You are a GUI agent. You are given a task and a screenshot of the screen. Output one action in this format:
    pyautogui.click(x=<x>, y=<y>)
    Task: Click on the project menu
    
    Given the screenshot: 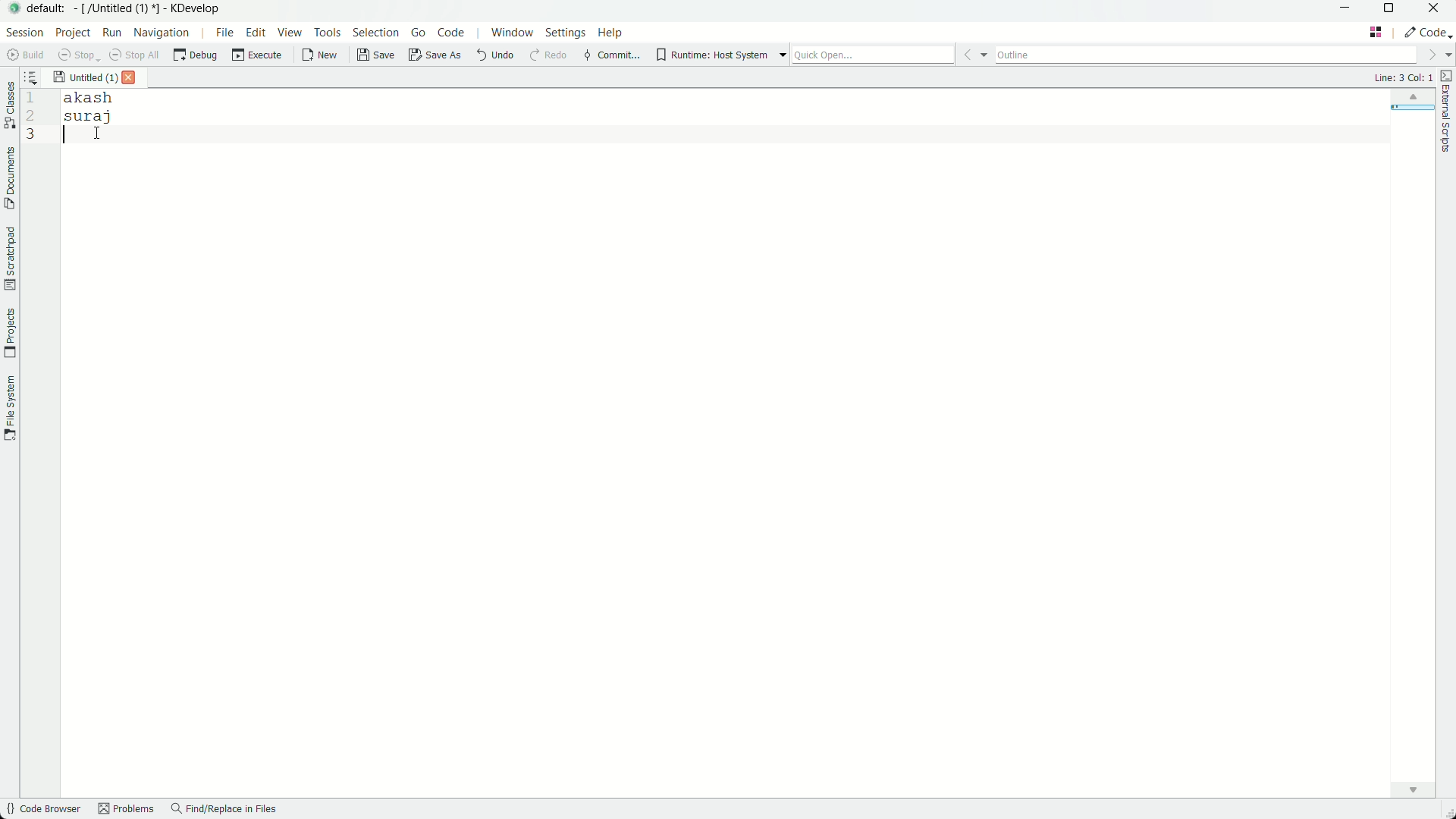 What is the action you would take?
    pyautogui.click(x=74, y=32)
    